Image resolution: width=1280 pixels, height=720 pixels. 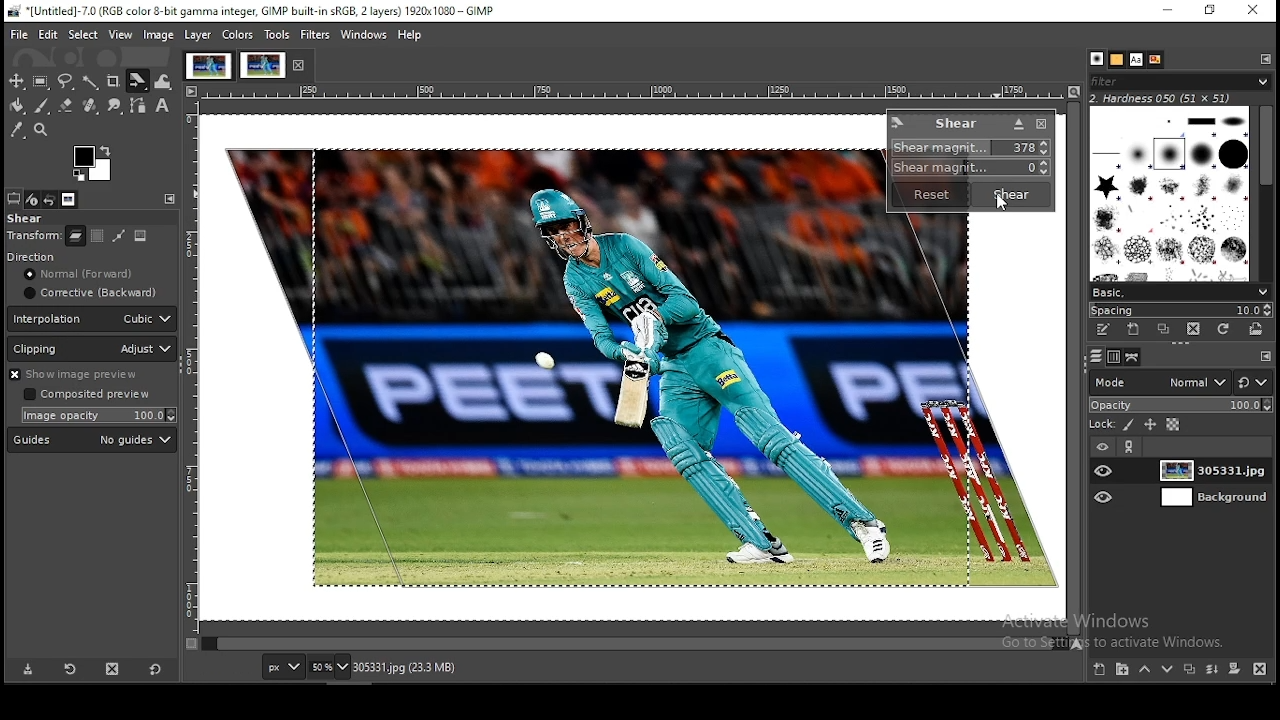 I want to click on restore tool preset, so click(x=69, y=669).